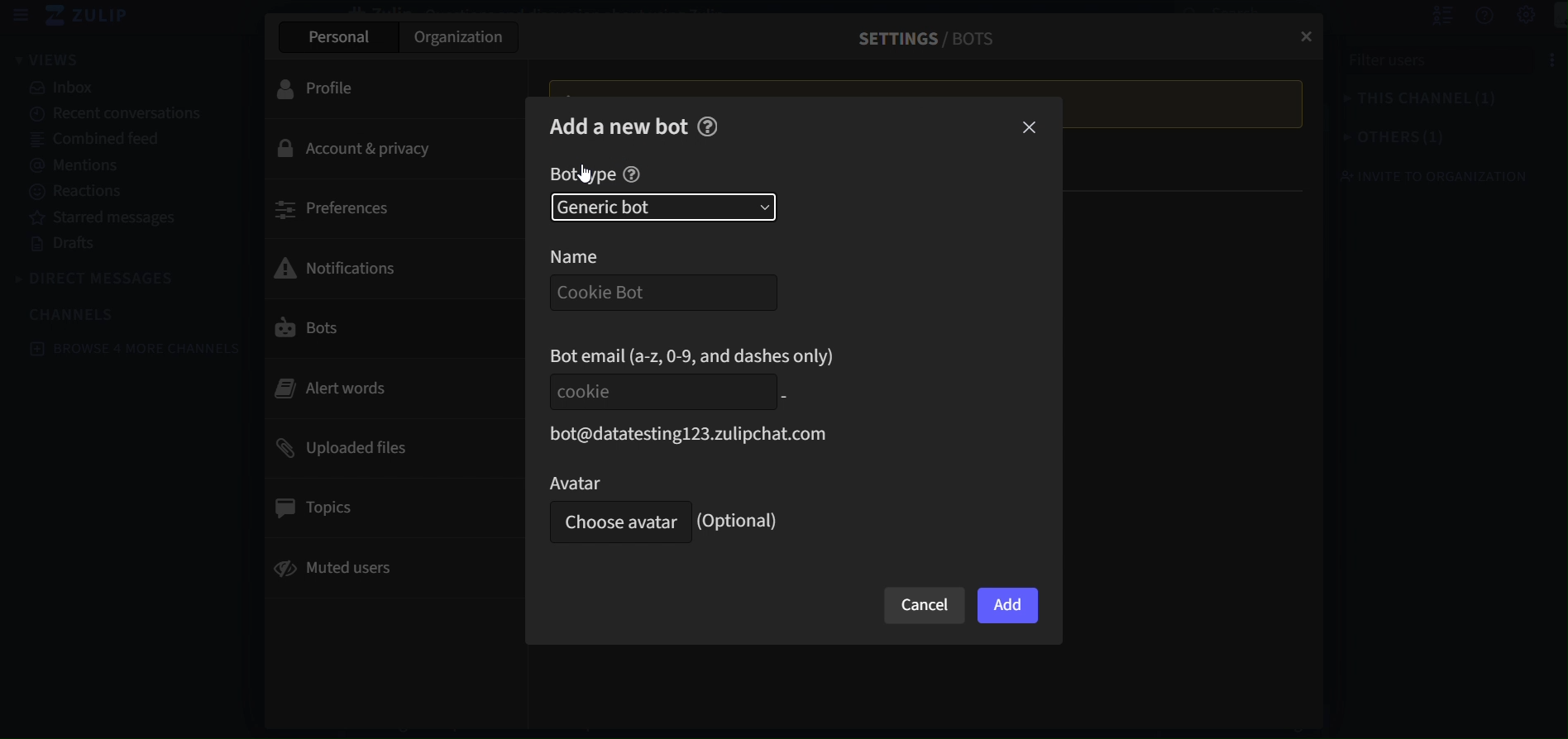 This screenshot has height=739, width=1568. I want to click on Cookie, so click(659, 391).